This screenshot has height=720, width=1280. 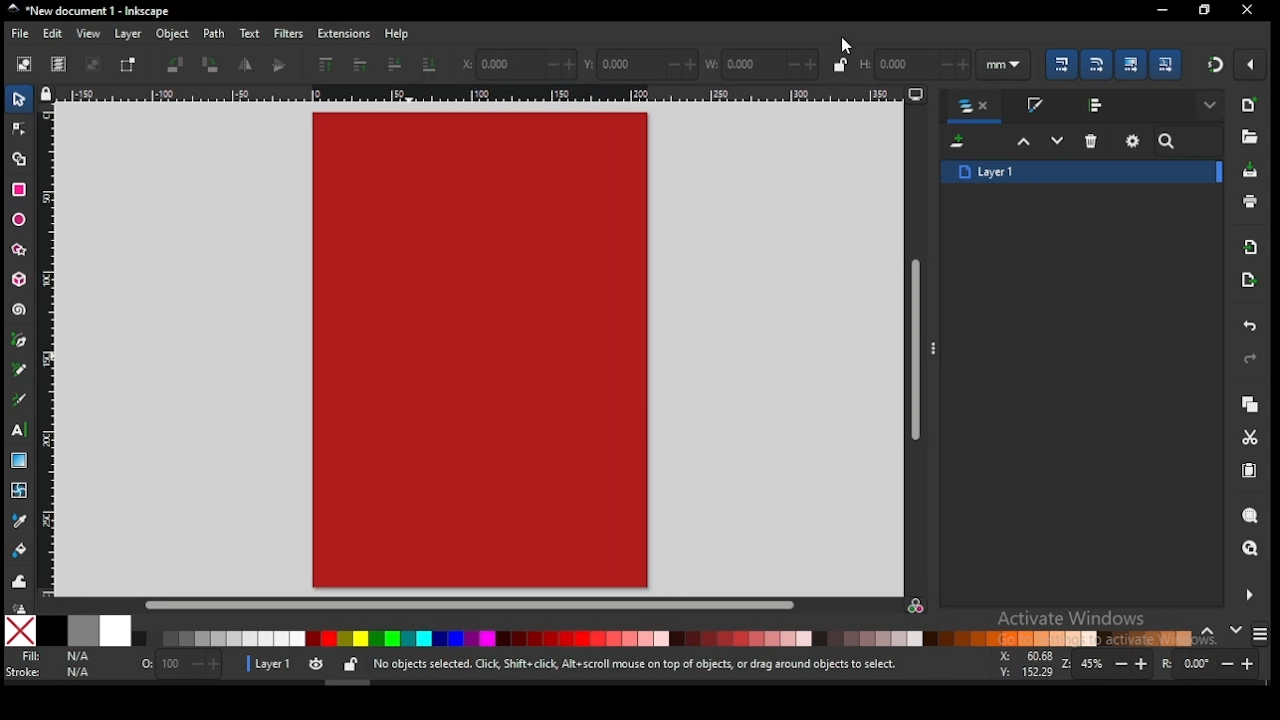 What do you see at coordinates (52, 348) in the screenshot?
I see `vertical ruler` at bounding box center [52, 348].